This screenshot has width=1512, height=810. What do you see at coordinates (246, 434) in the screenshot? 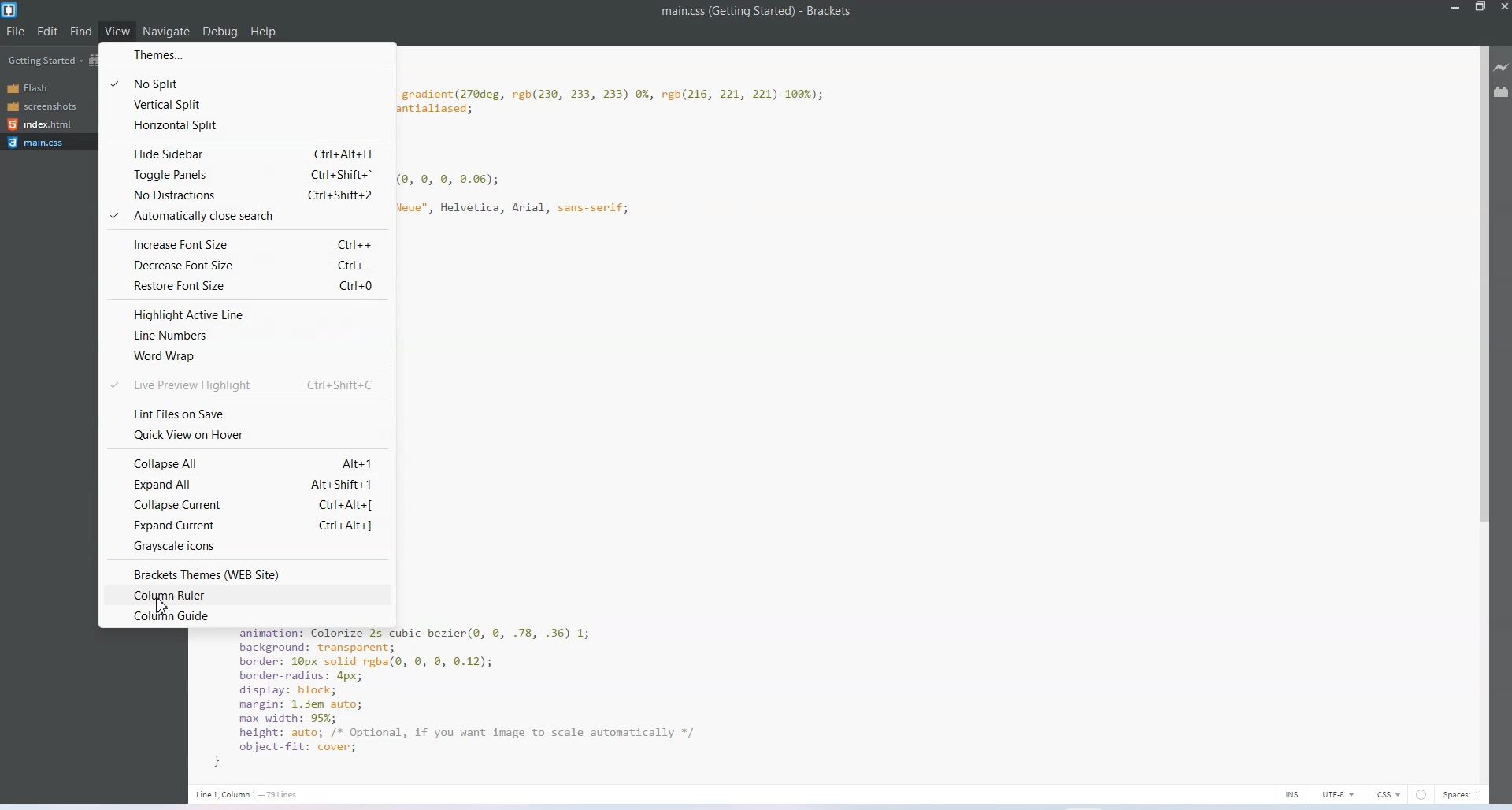
I see `Quick view on Hover` at bounding box center [246, 434].